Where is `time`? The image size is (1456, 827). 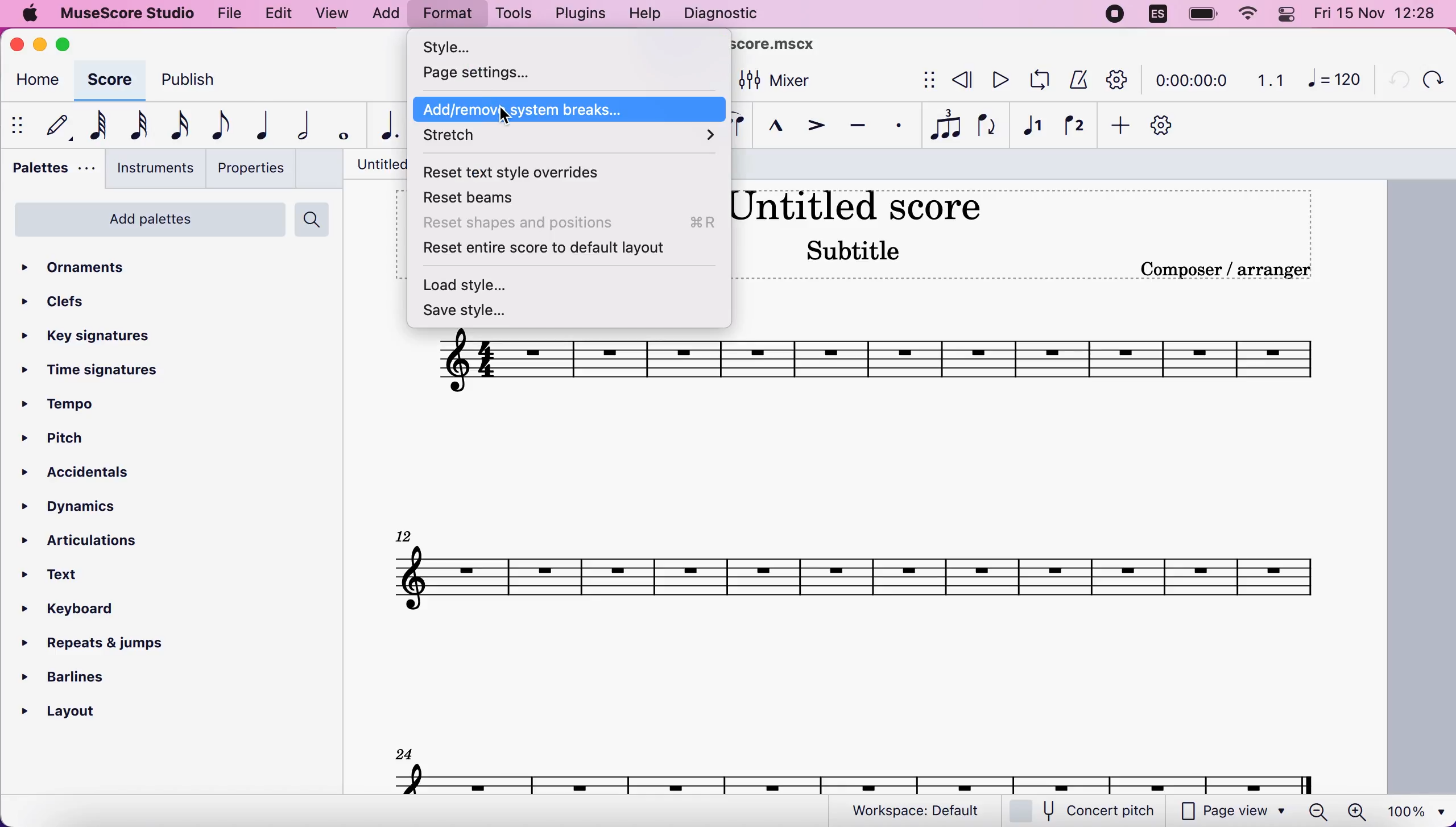 time is located at coordinates (1189, 82).